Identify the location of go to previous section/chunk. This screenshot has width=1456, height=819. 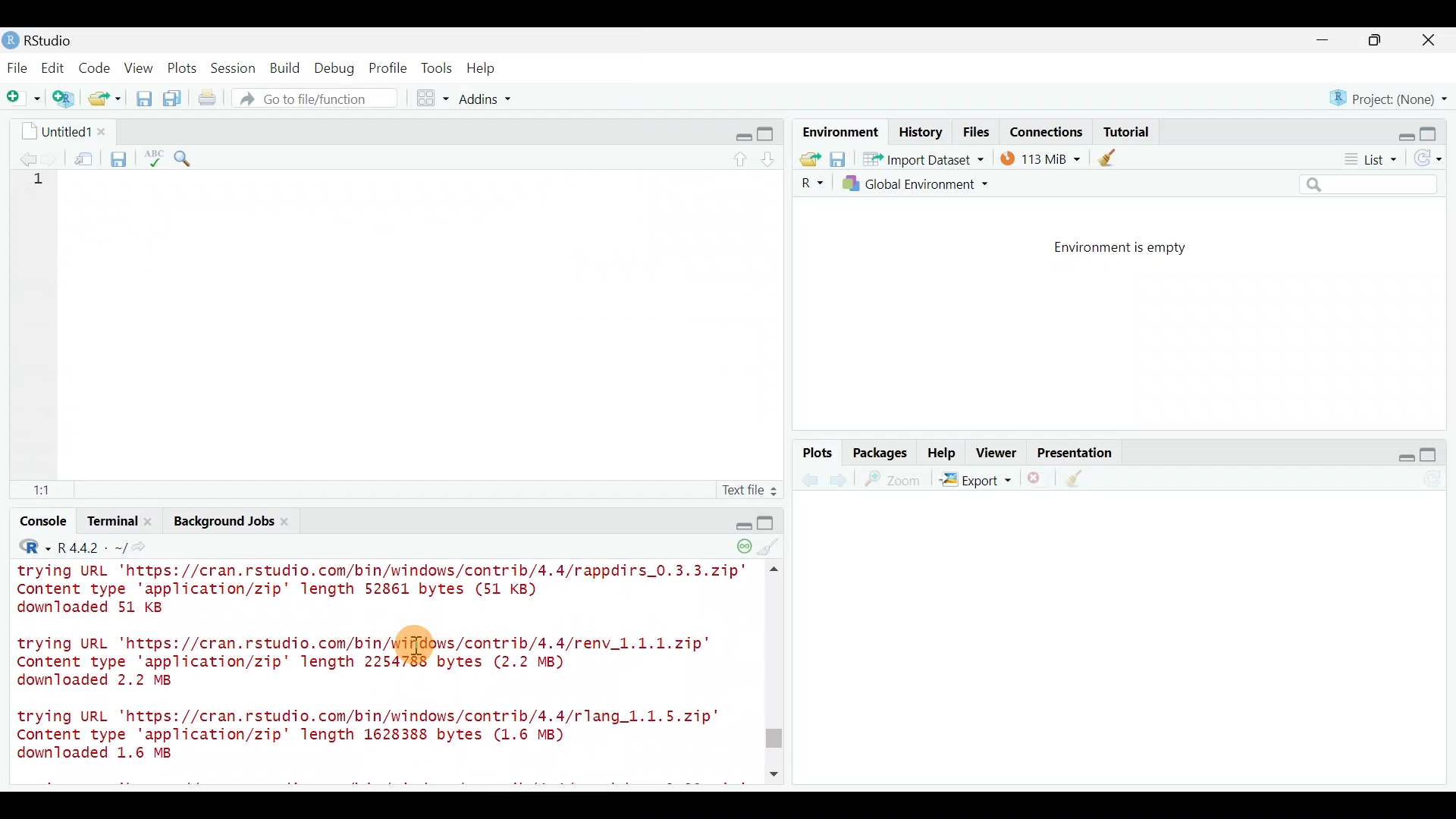
(742, 156).